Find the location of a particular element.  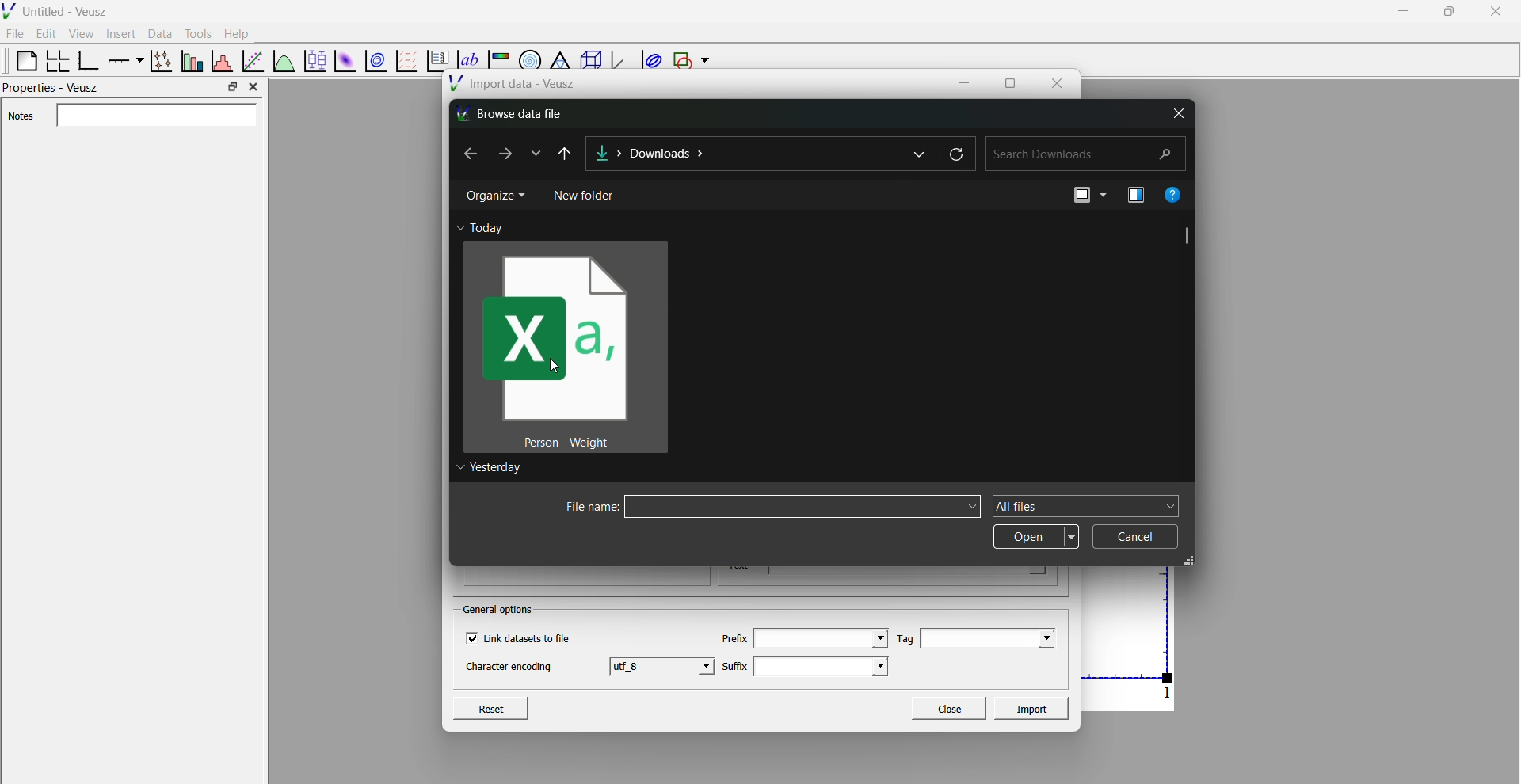

Import Data - Veusz is located at coordinates (515, 86).